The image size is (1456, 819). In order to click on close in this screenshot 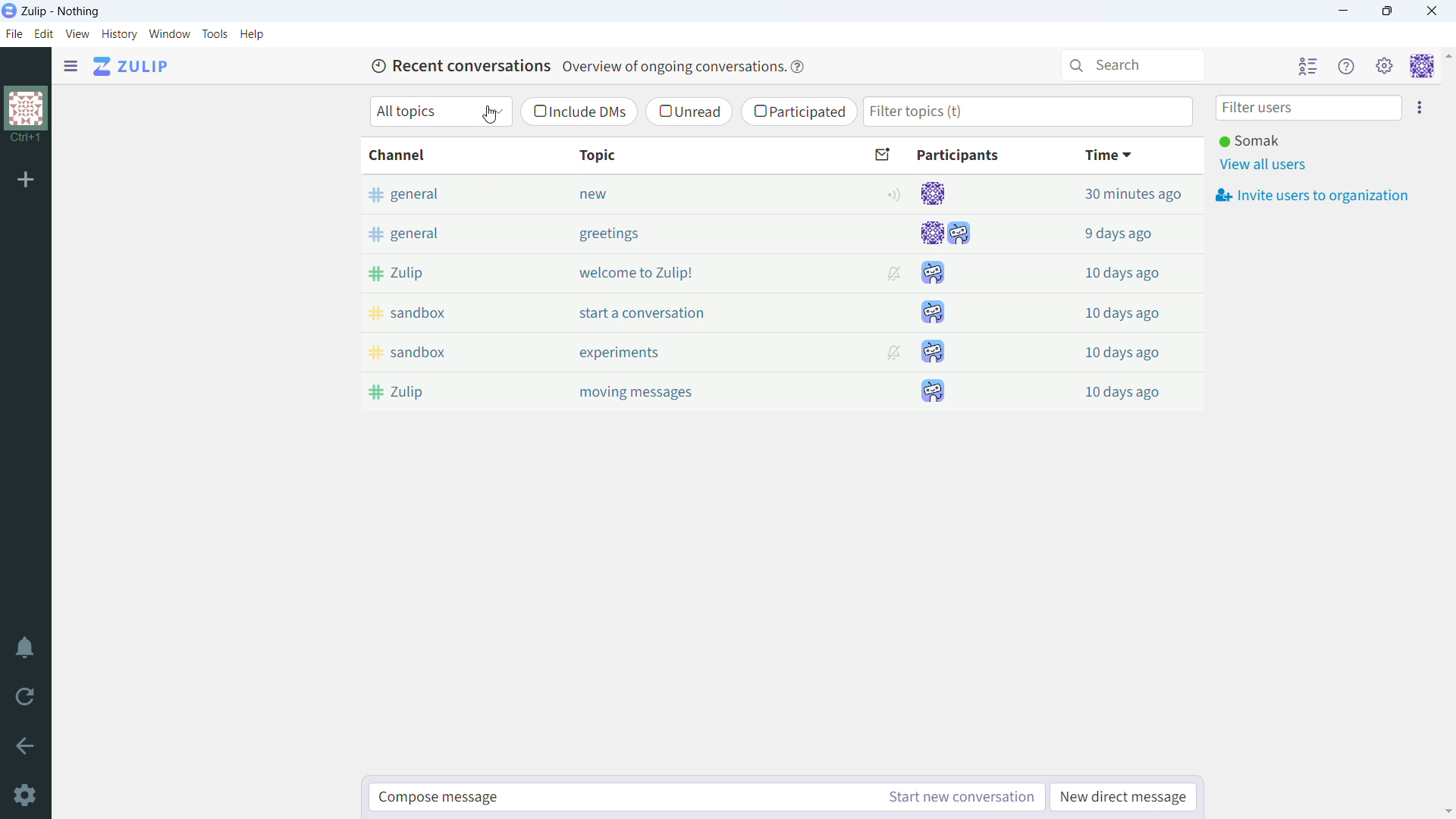, I will do `click(1430, 11)`.